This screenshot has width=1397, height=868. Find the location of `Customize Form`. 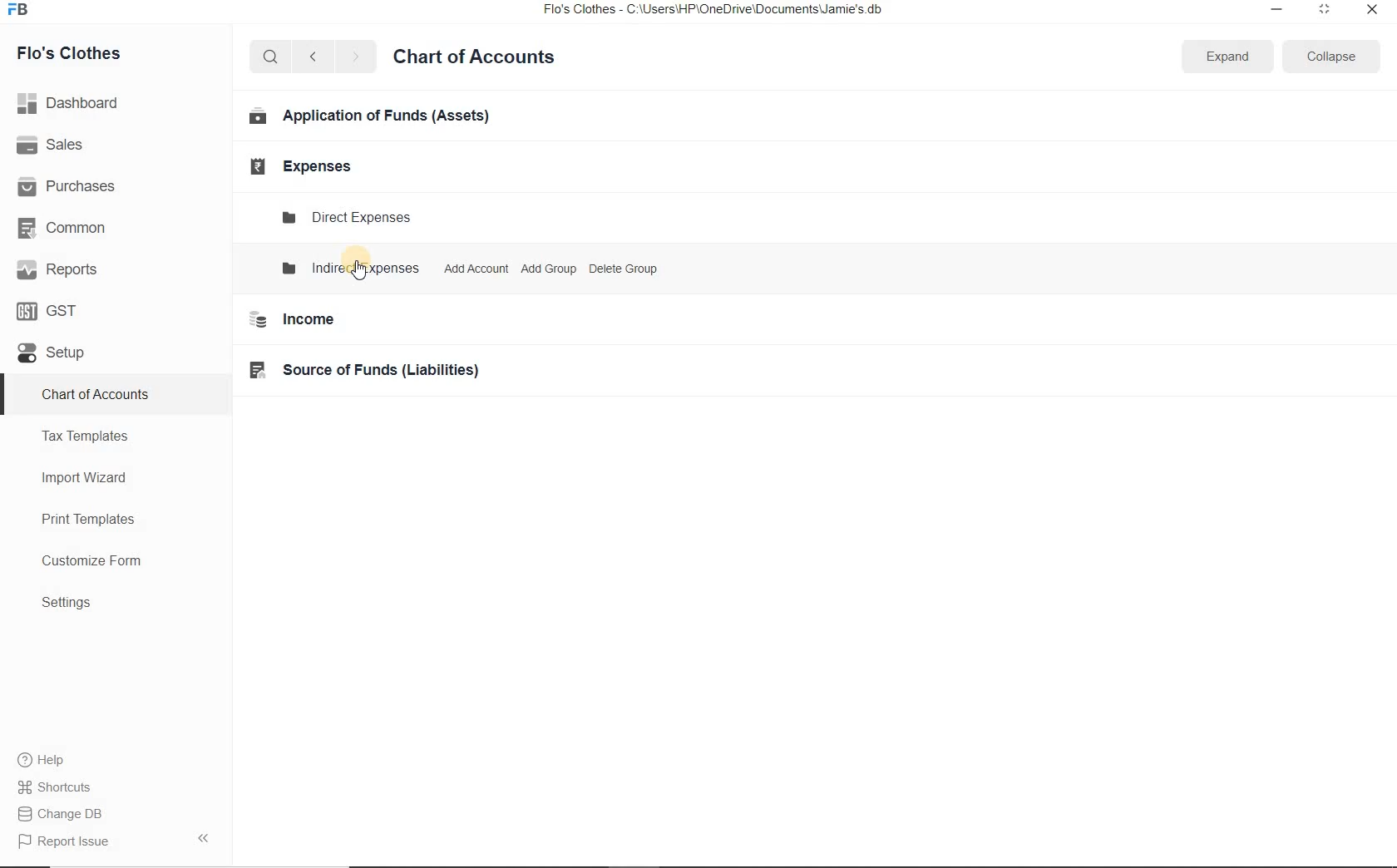

Customize Form is located at coordinates (92, 561).